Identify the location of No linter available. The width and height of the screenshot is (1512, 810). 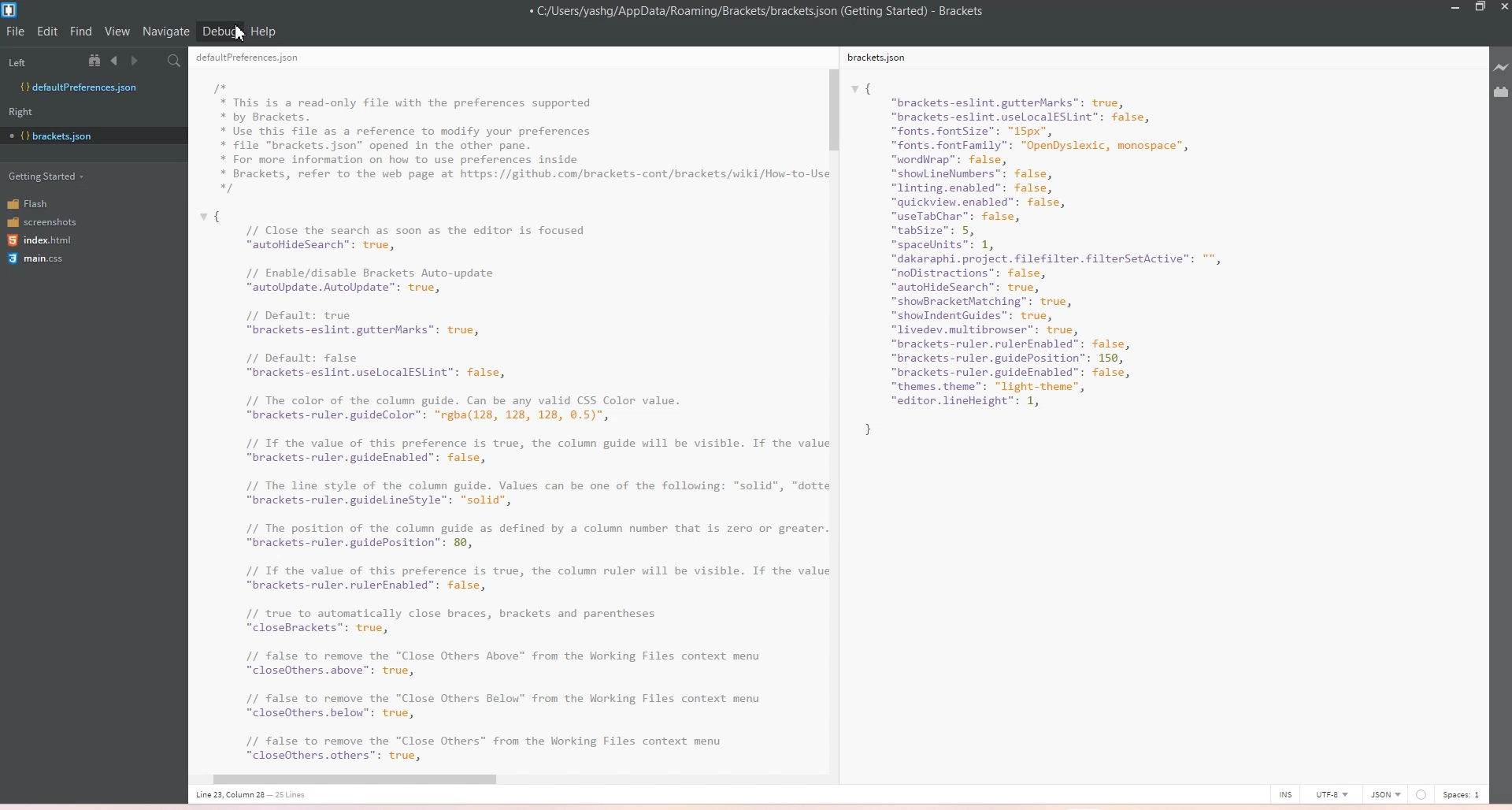
(1421, 795).